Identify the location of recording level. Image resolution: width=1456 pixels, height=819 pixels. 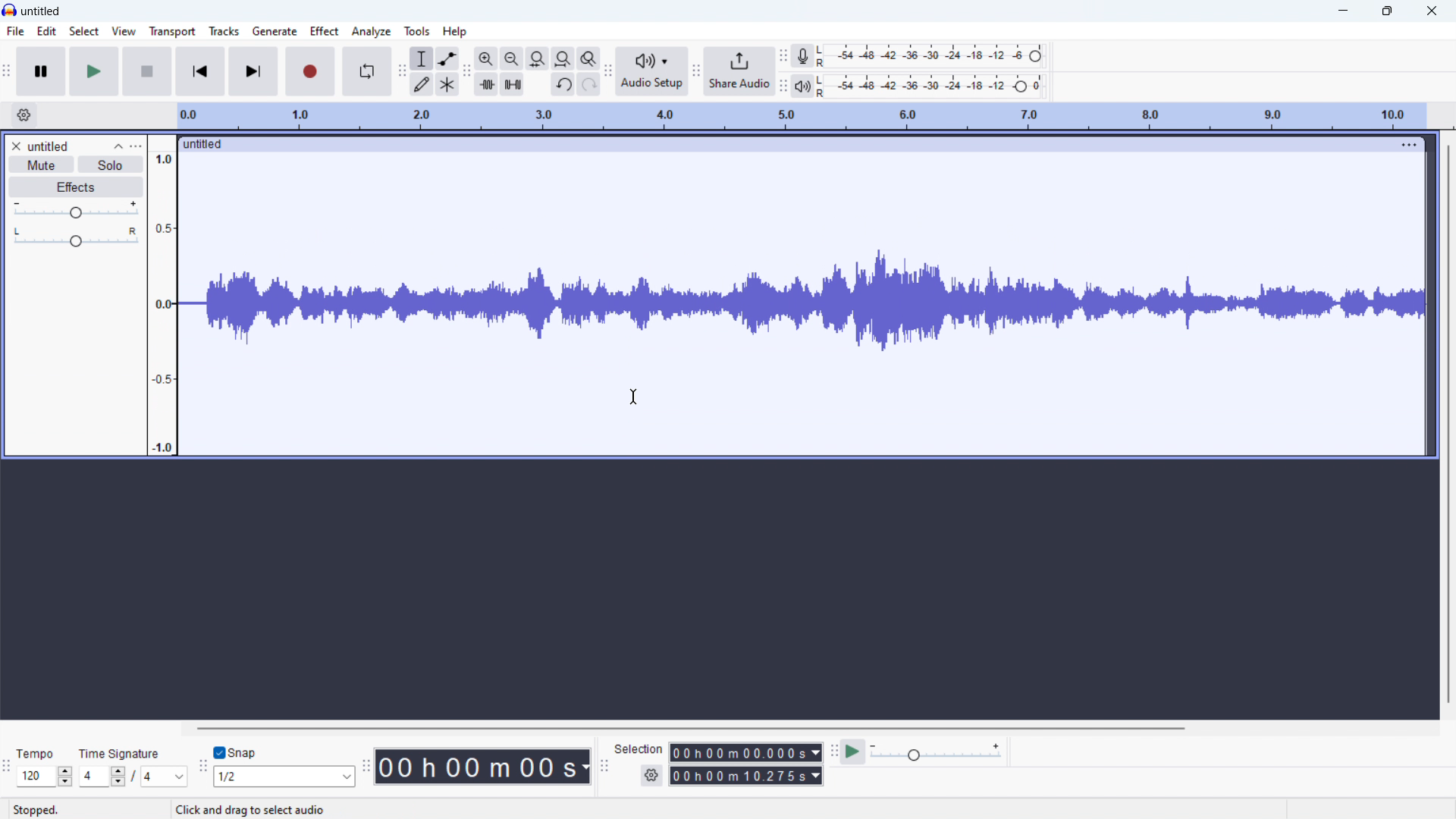
(934, 56).